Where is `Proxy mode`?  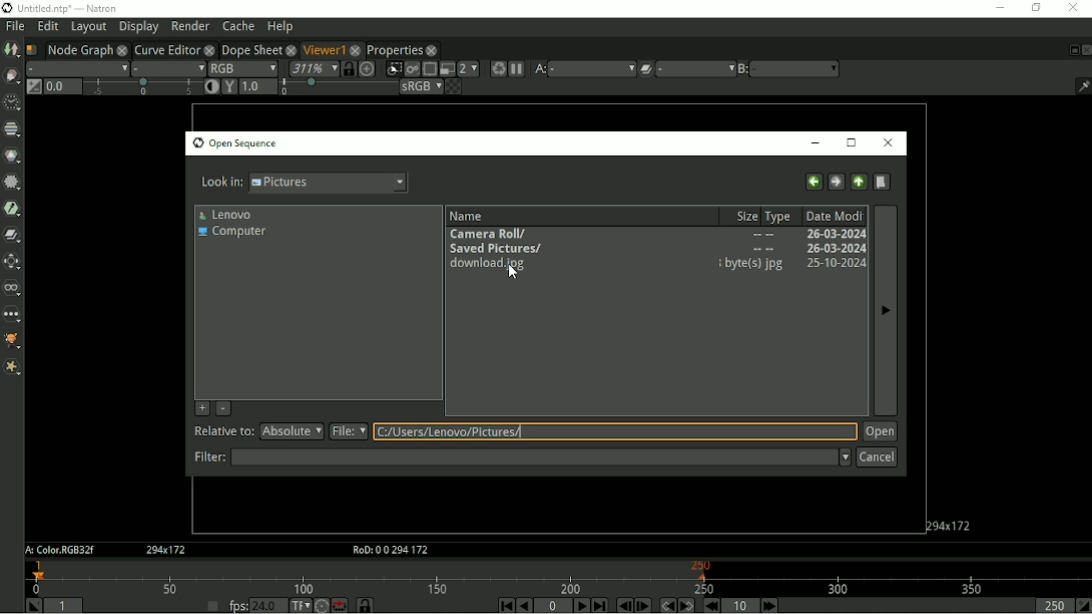 Proxy mode is located at coordinates (446, 69).